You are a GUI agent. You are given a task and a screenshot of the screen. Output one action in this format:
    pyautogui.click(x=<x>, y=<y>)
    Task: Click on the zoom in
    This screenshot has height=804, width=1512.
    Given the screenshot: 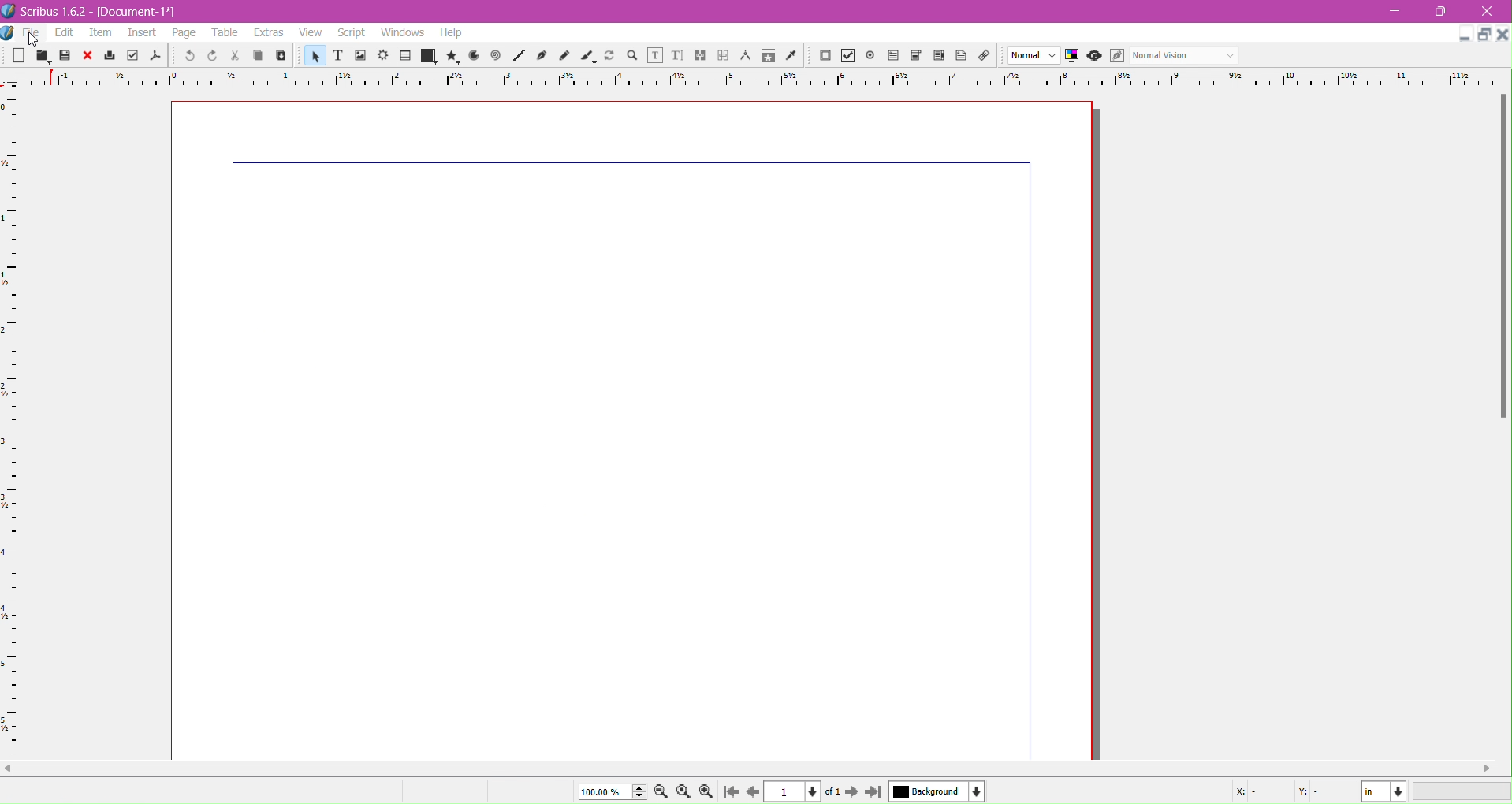 What is the action you would take?
    pyautogui.click(x=706, y=792)
    